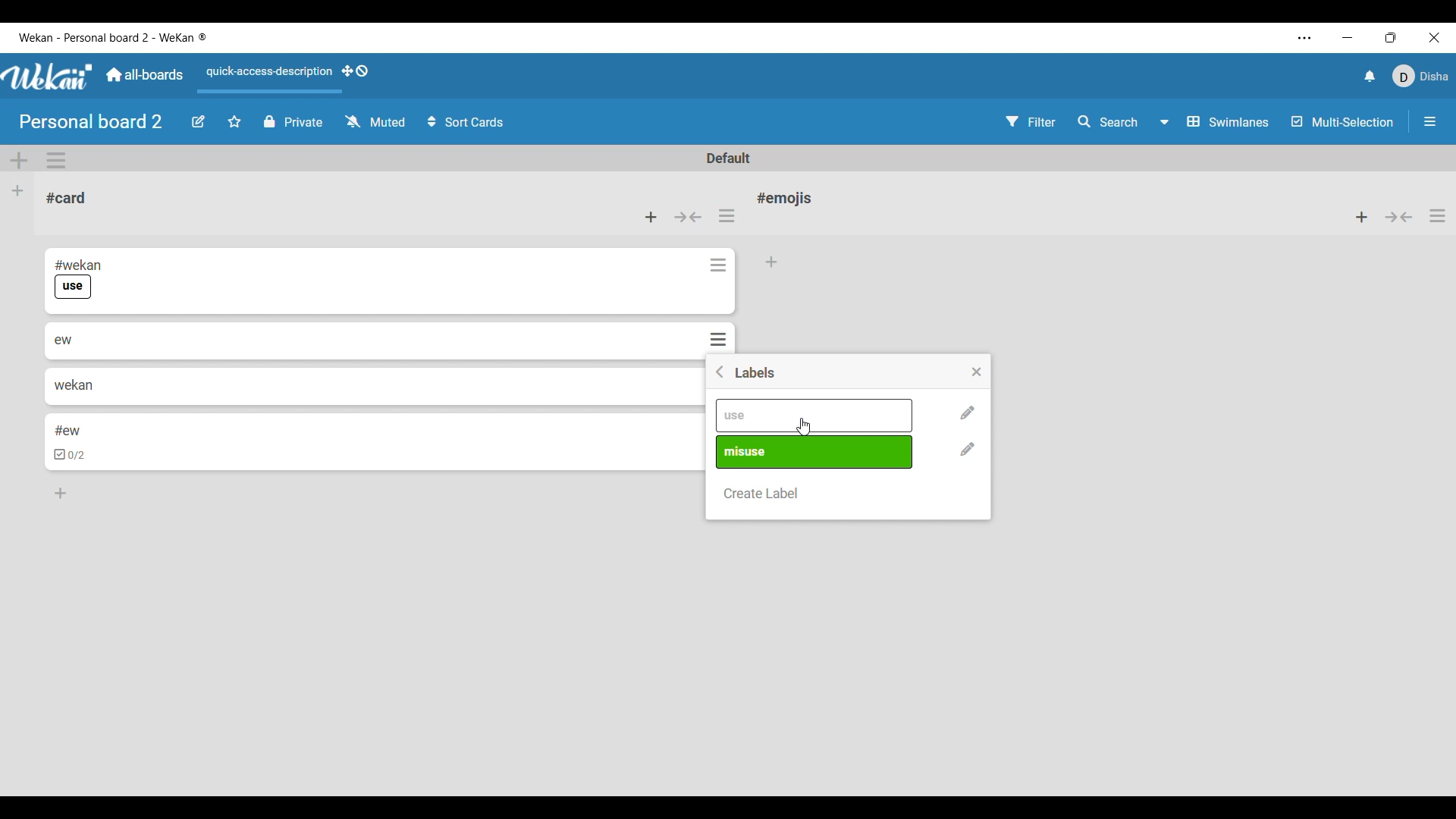  What do you see at coordinates (466, 121) in the screenshot?
I see `Sort card options` at bounding box center [466, 121].